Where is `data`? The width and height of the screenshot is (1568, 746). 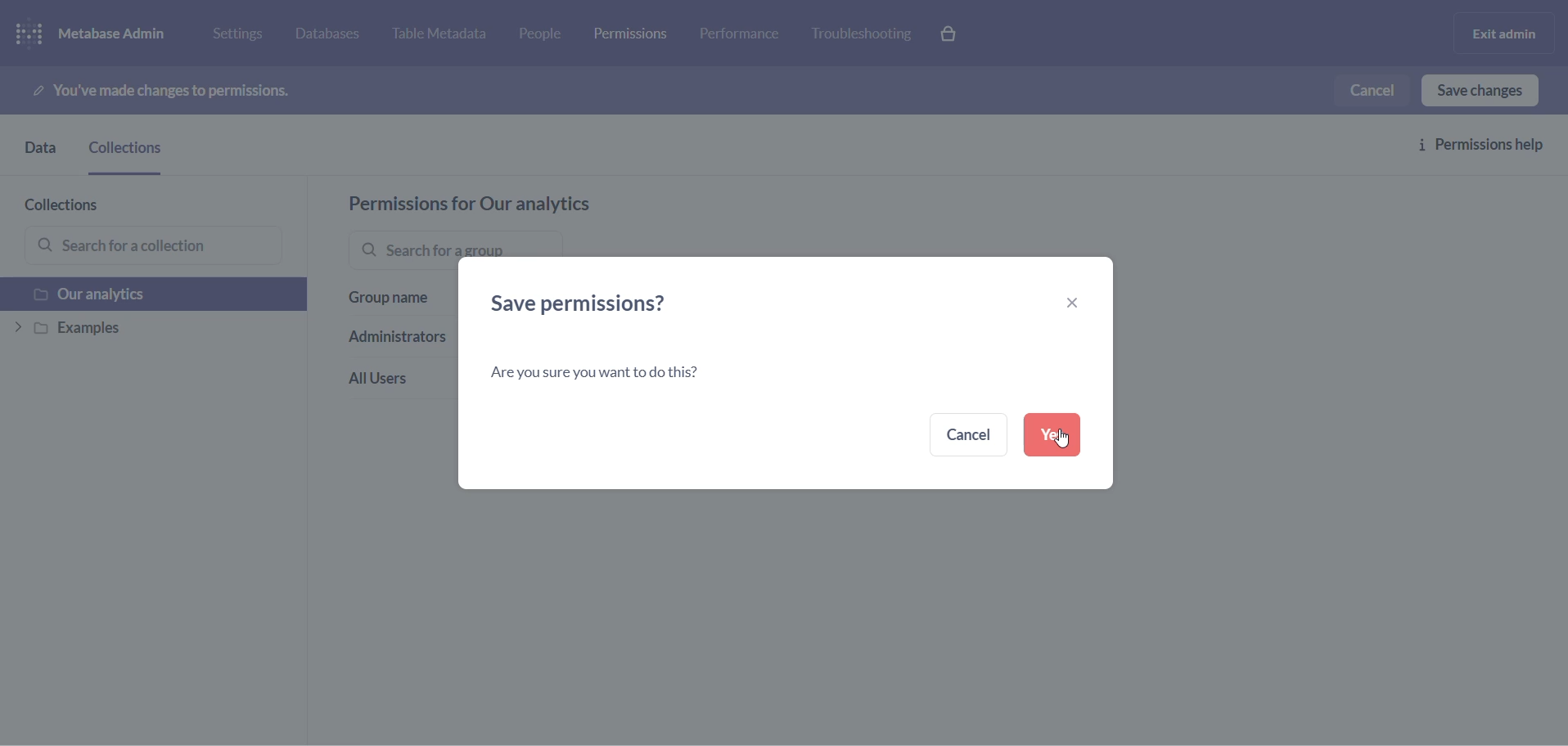 data is located at coordinates (38, 154).